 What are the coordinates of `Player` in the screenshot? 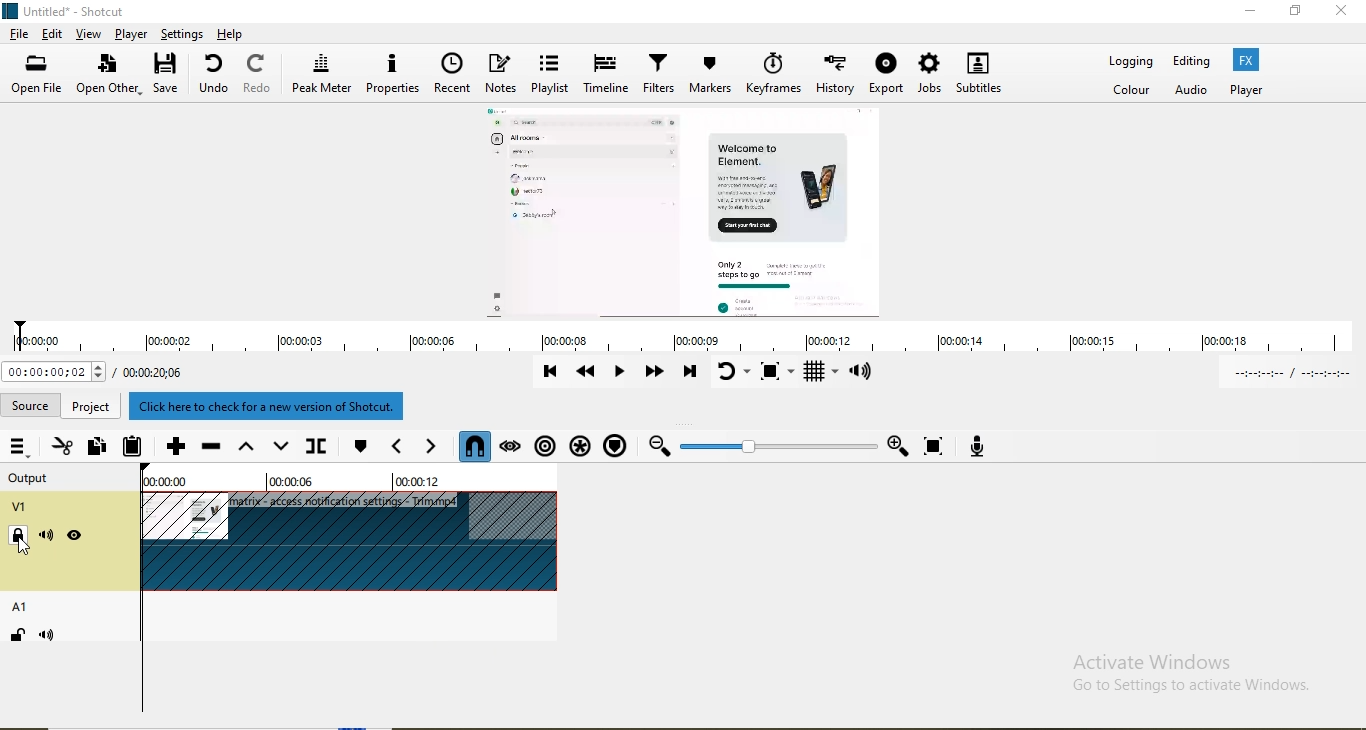 It's located at (1249, 90).